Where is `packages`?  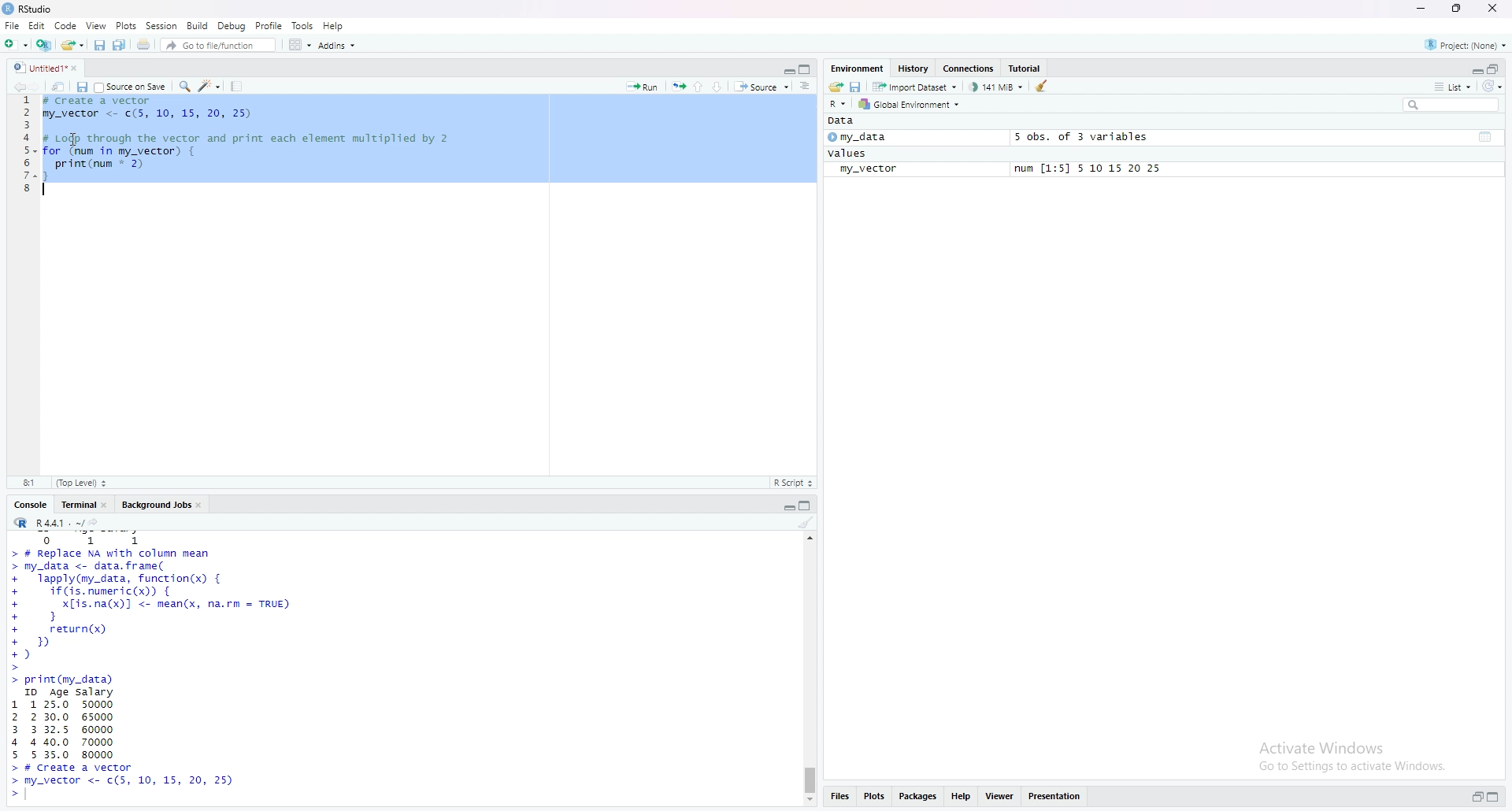 packages is located at coordinates (919, 796).